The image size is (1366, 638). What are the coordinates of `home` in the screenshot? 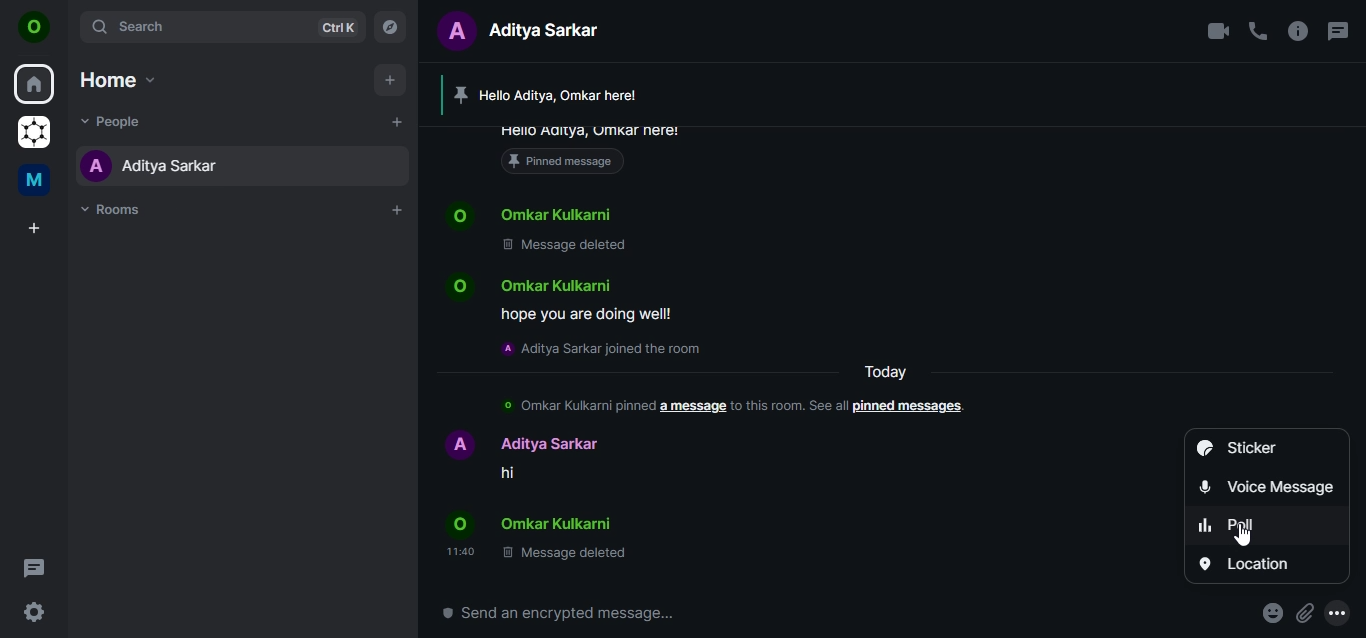 It's located at (36, 85).